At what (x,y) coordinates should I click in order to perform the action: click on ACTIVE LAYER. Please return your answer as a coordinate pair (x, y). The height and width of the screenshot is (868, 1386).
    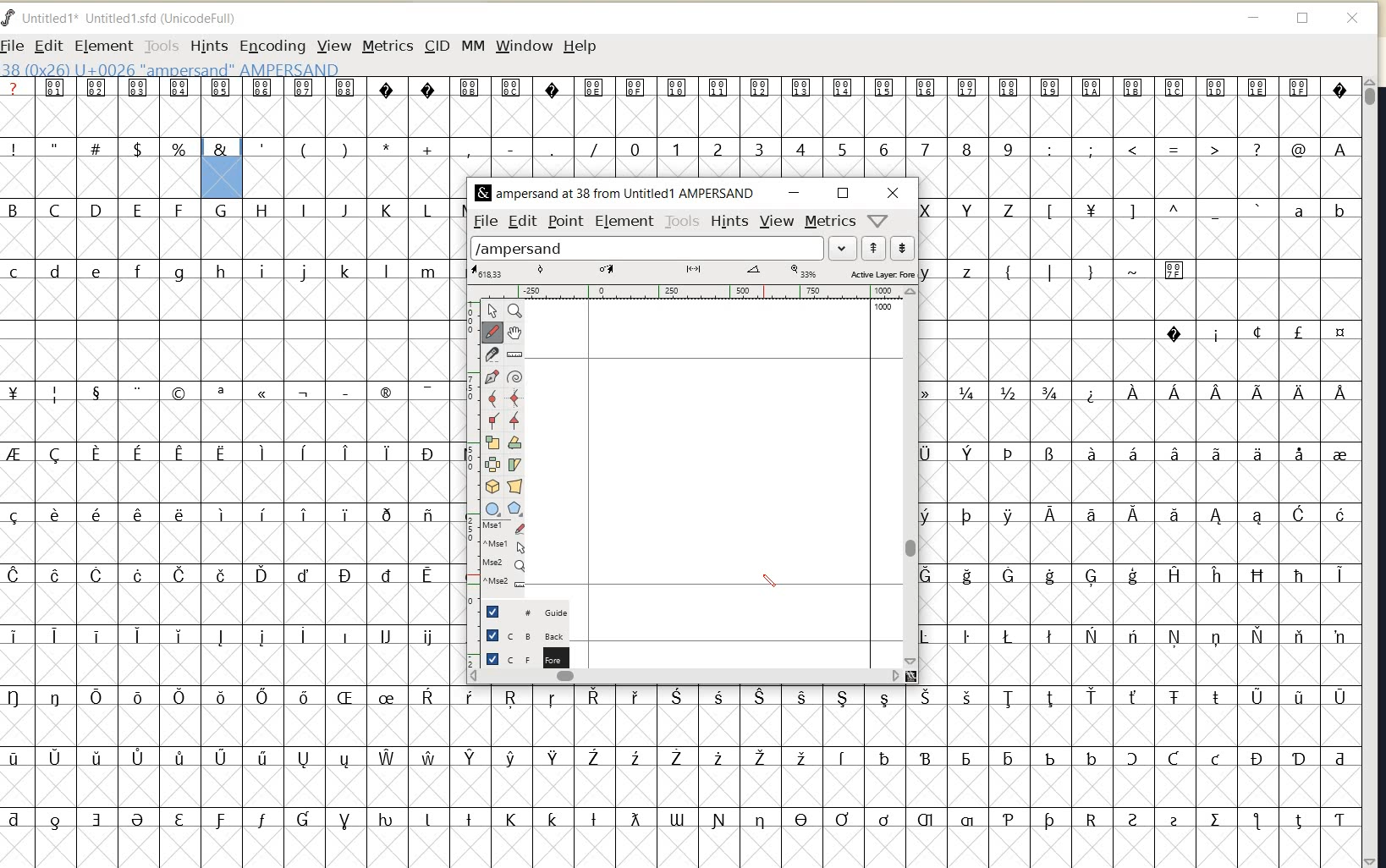
    Looking at the image, I should click on (693, 272).